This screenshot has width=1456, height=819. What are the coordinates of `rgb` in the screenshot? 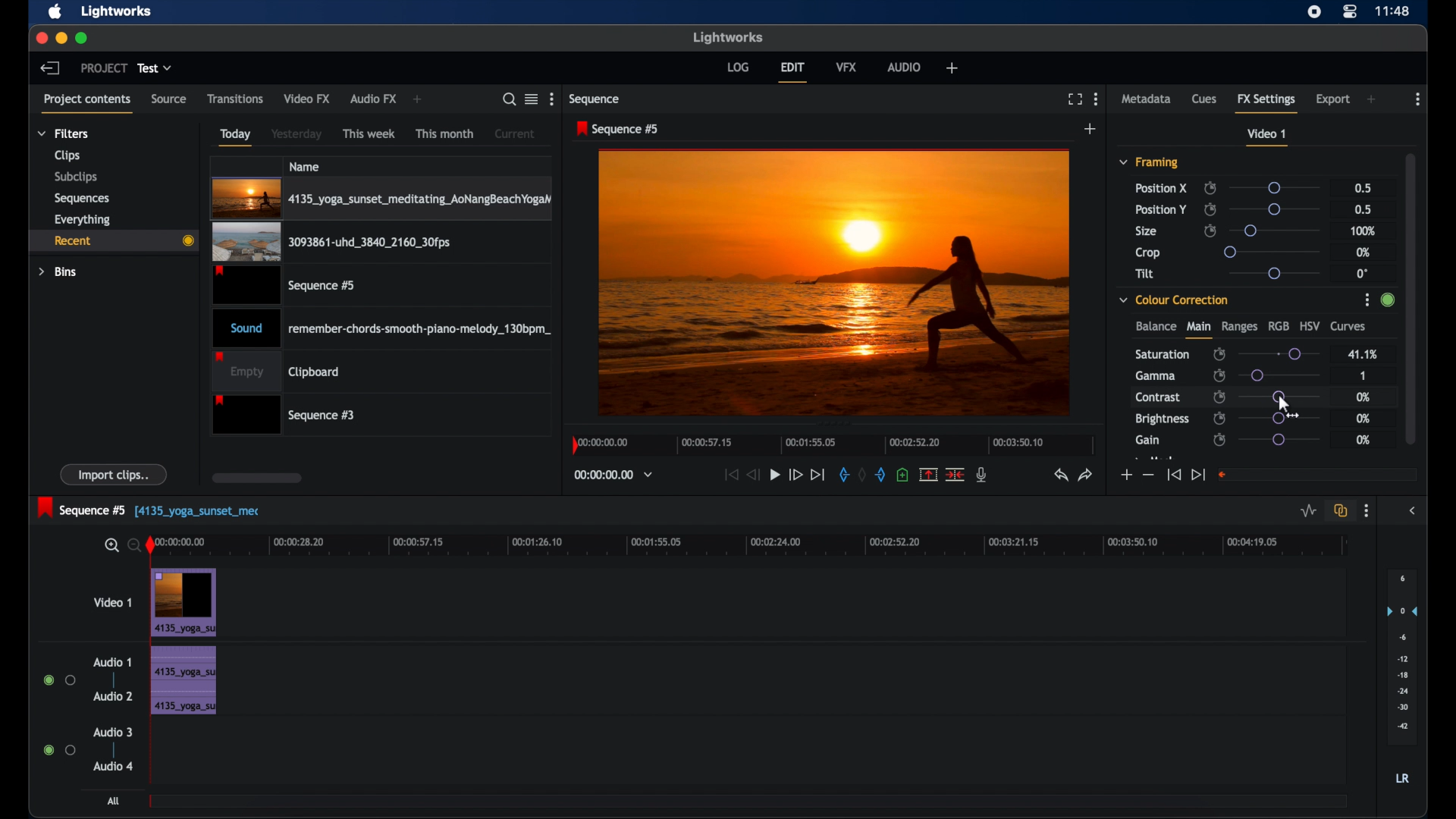 It's located at (1279, 325).